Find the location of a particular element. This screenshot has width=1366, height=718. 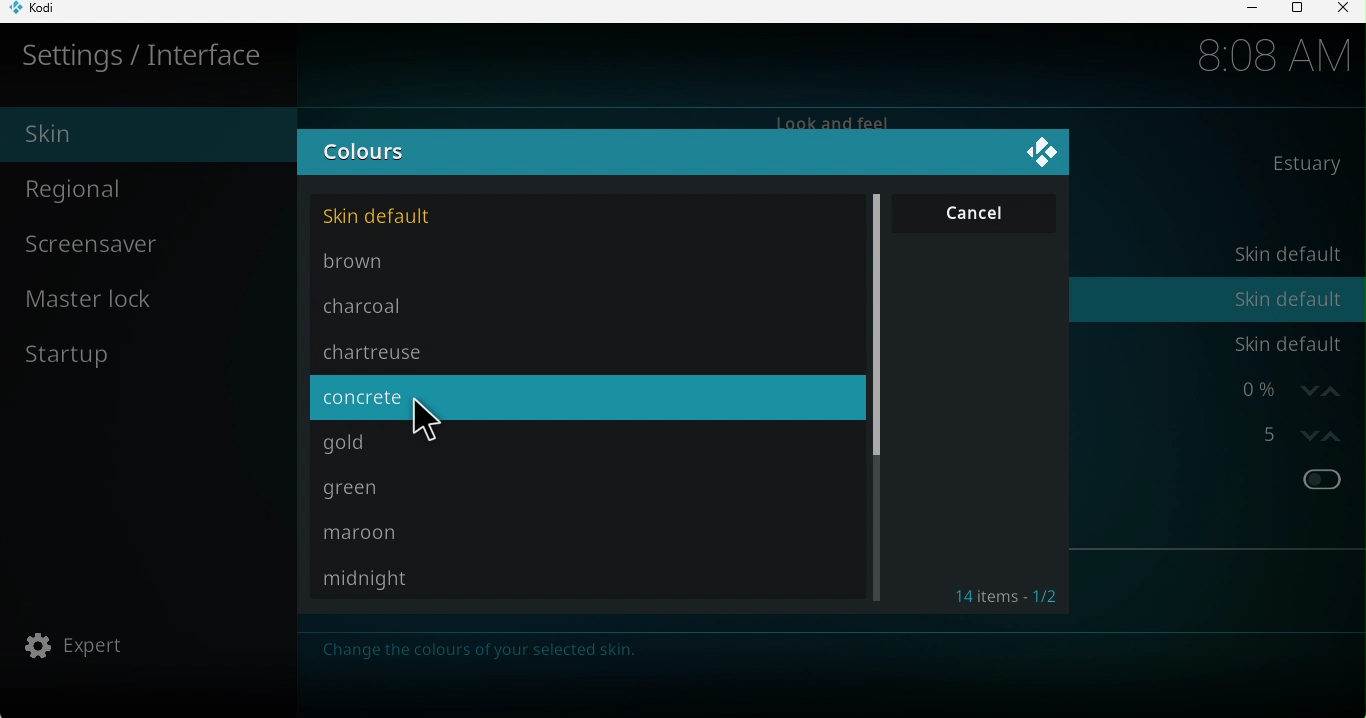

Gold is located at coordinates (583, 442).